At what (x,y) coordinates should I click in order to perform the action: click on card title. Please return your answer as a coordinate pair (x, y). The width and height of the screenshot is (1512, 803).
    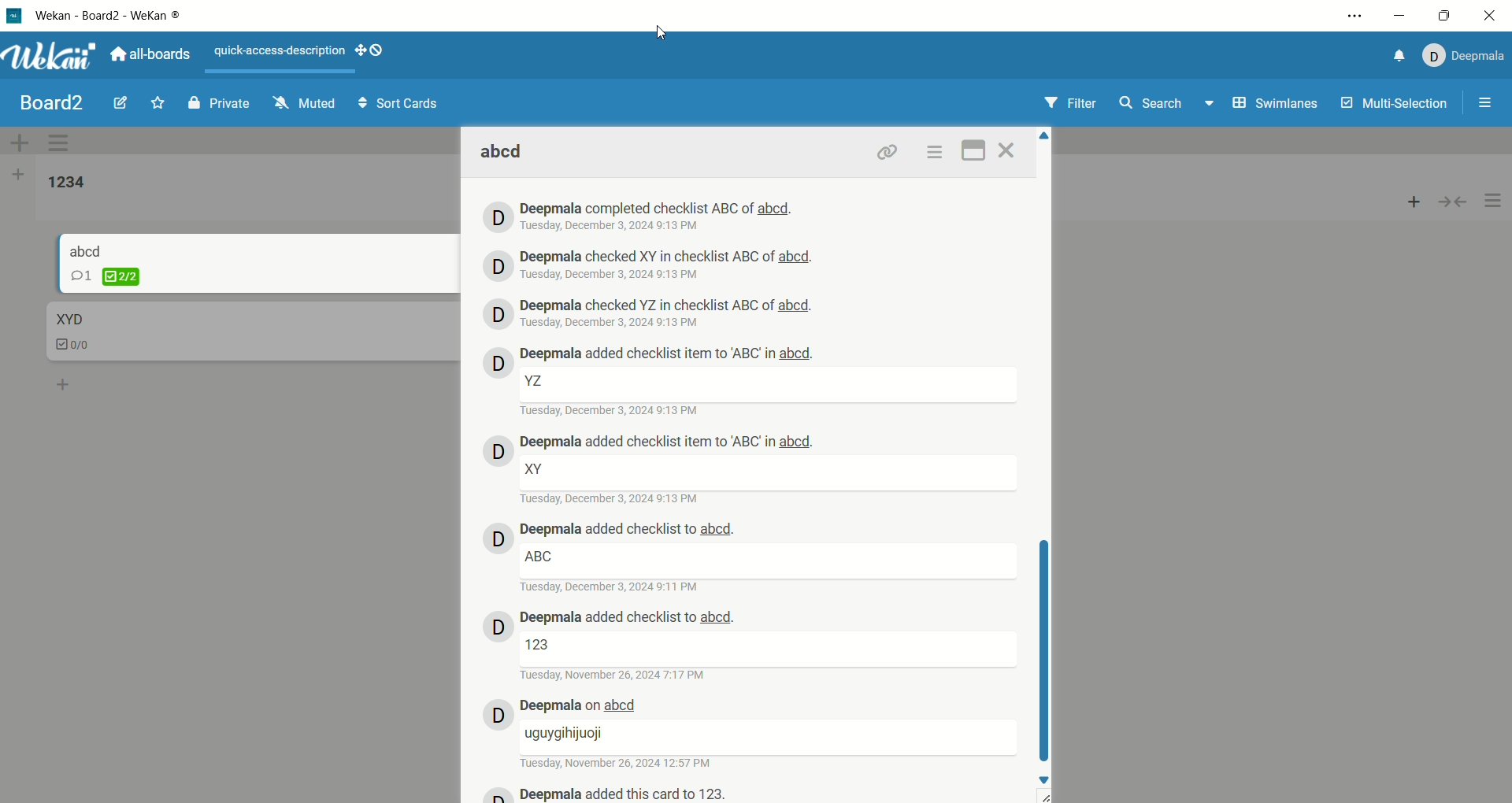
    Looking at the image, I should click on (504, 153).